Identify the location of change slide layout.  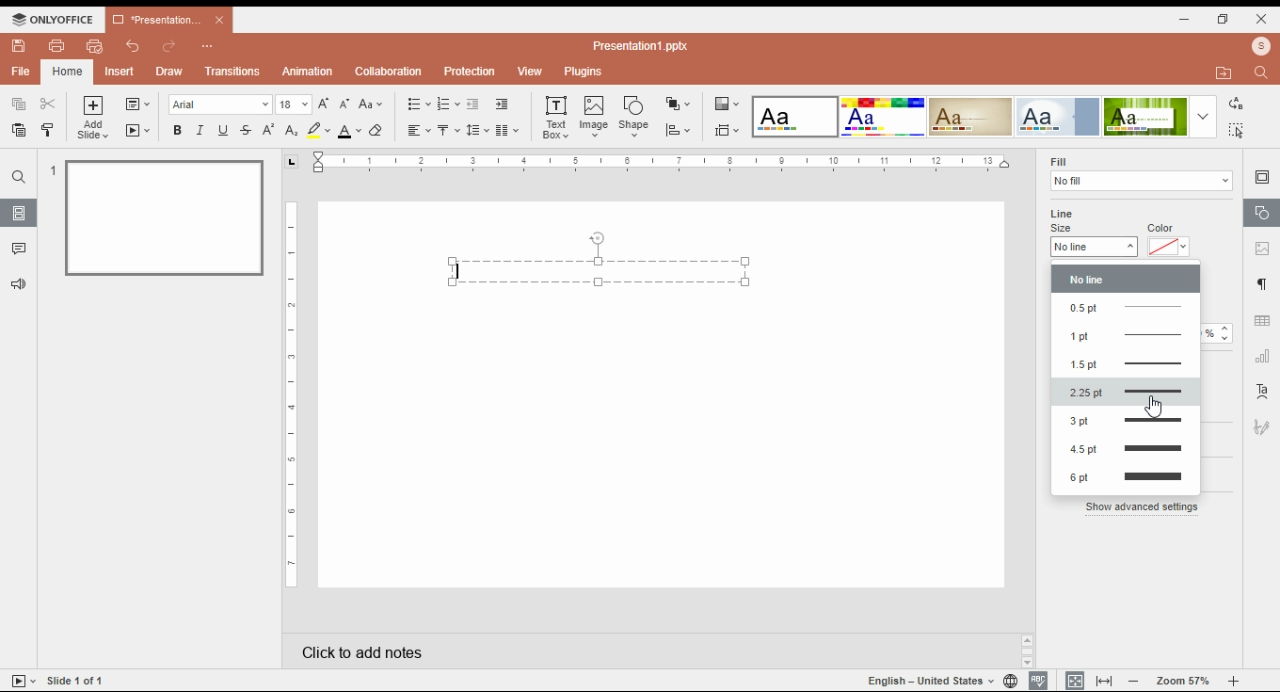
(138, 104).